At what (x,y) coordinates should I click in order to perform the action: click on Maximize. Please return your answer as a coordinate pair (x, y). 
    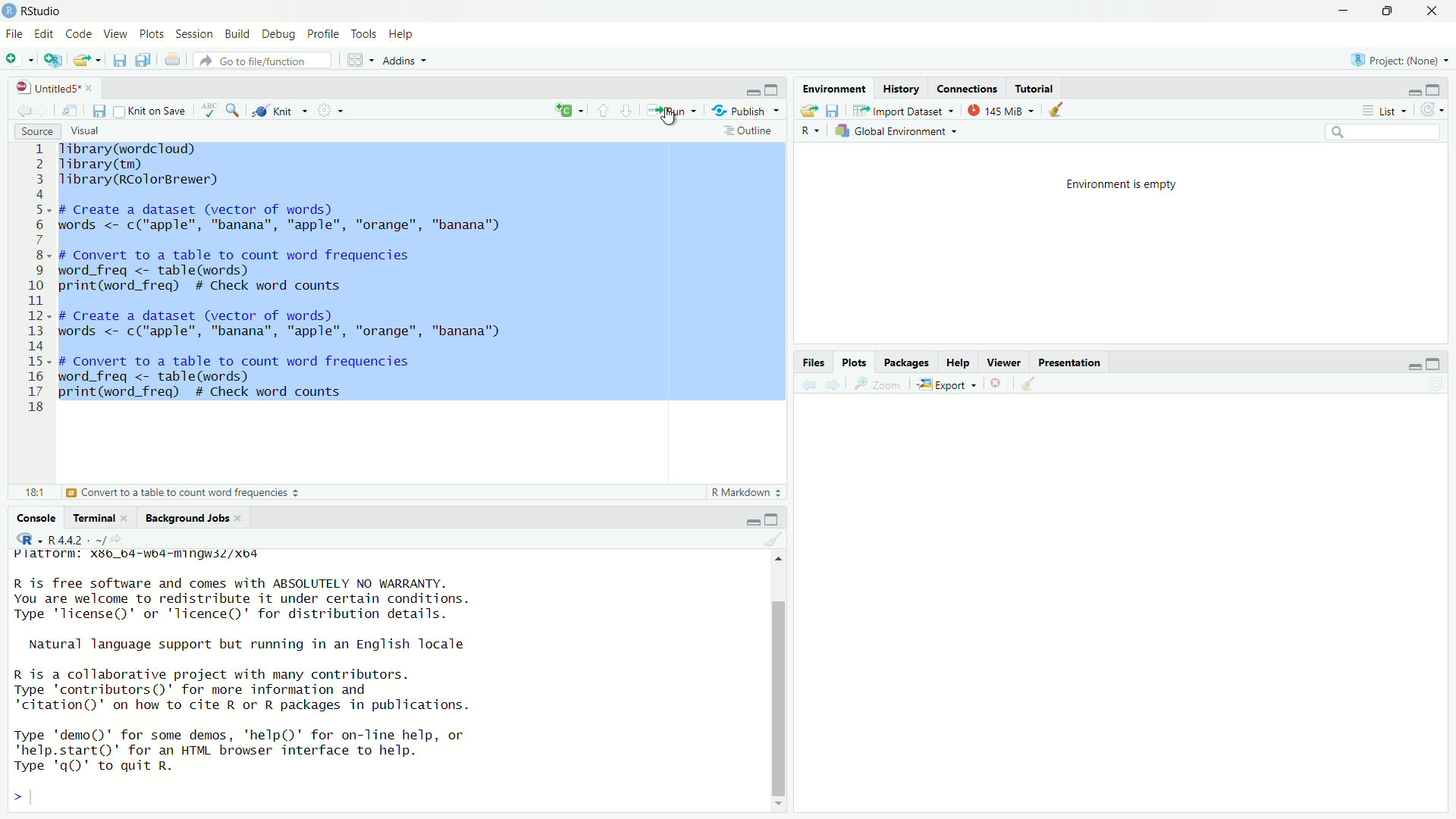
    Looking at the image, I should click on (773, 519).